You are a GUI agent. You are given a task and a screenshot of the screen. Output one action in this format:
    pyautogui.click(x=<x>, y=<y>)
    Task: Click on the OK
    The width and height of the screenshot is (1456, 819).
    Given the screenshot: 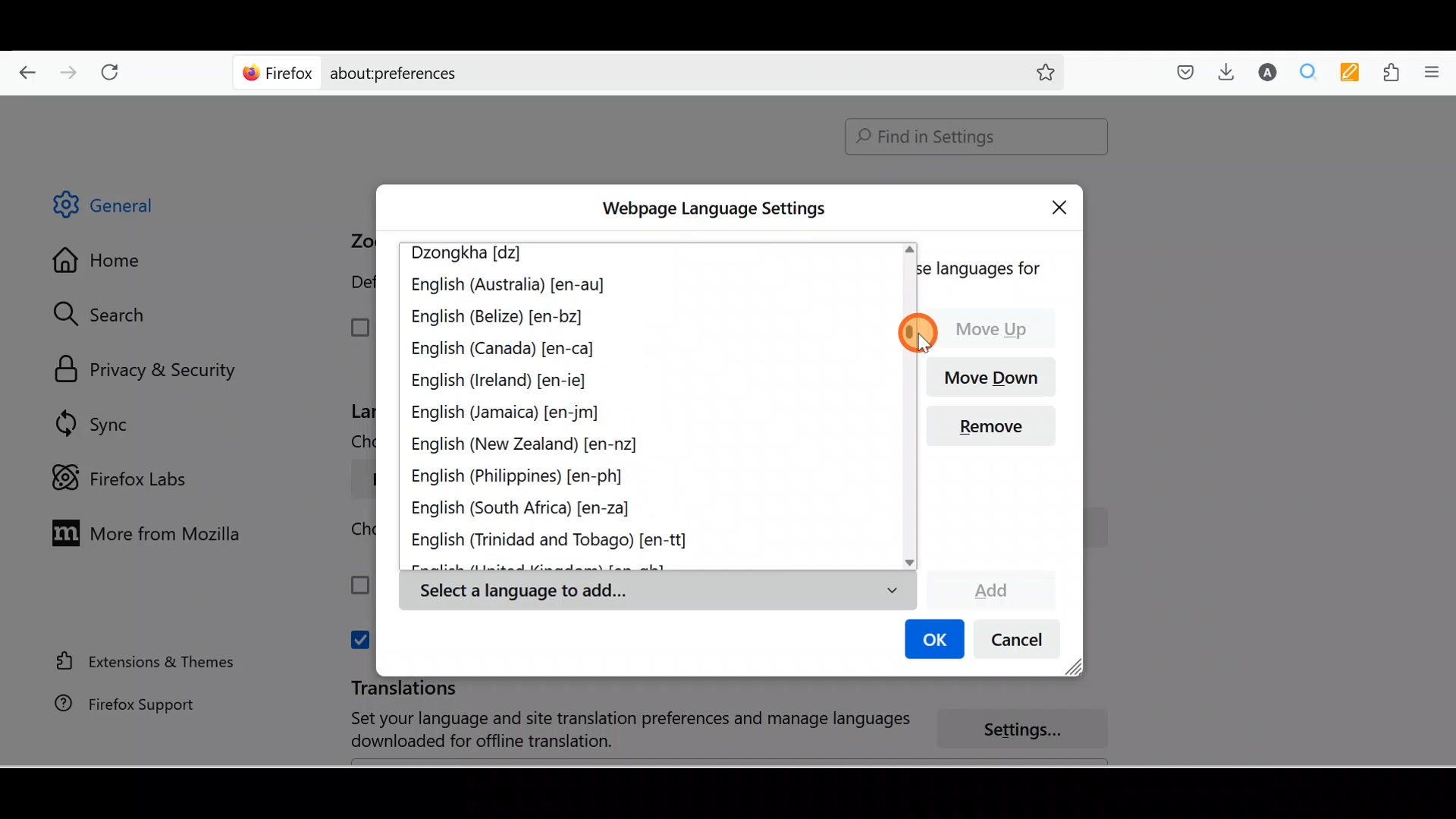 What is the action you would take?
    pyautogui.click(x=932, y=641)
    